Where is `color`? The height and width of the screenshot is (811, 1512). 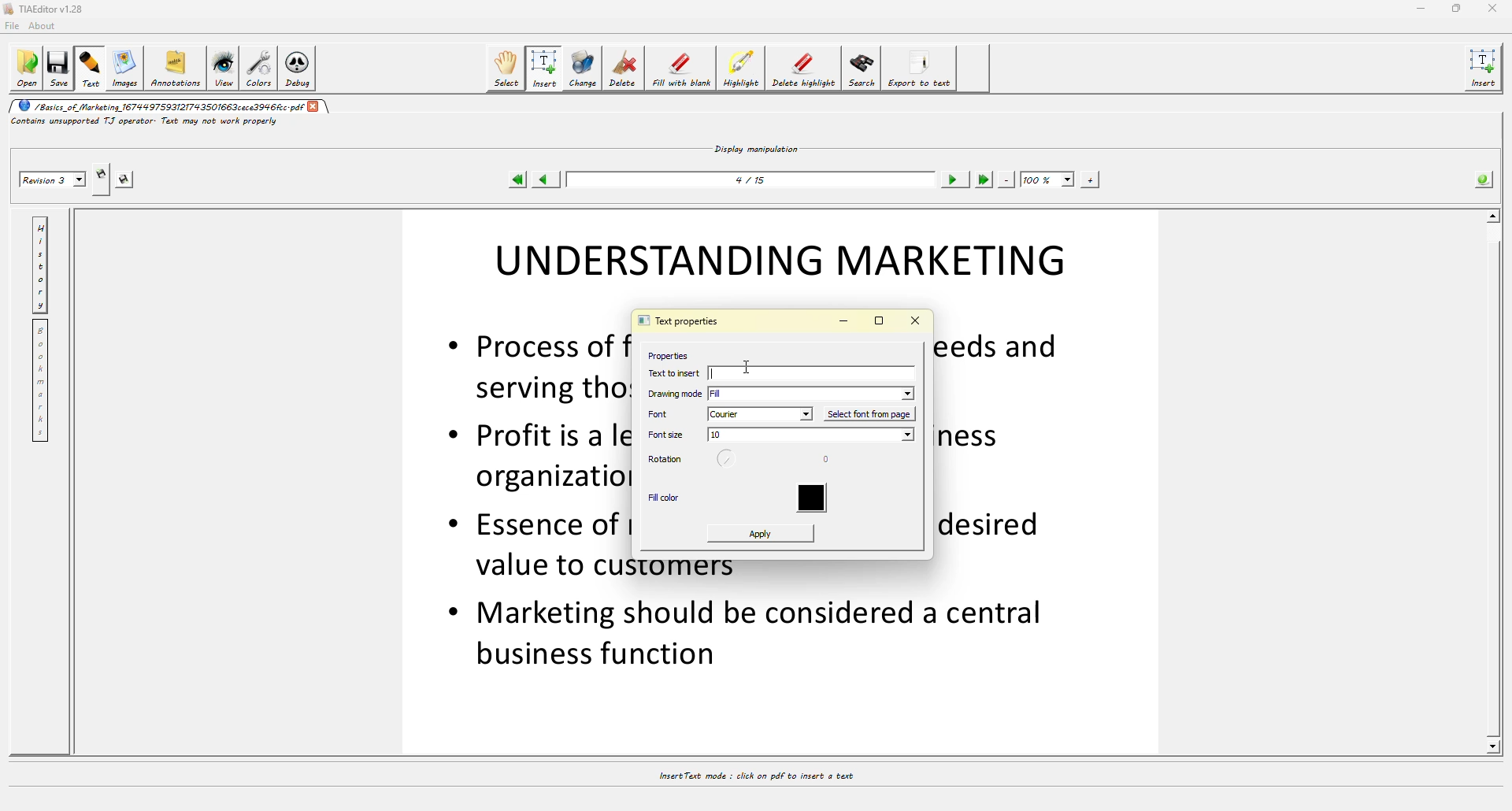 color is located at coordinates (817, 499).